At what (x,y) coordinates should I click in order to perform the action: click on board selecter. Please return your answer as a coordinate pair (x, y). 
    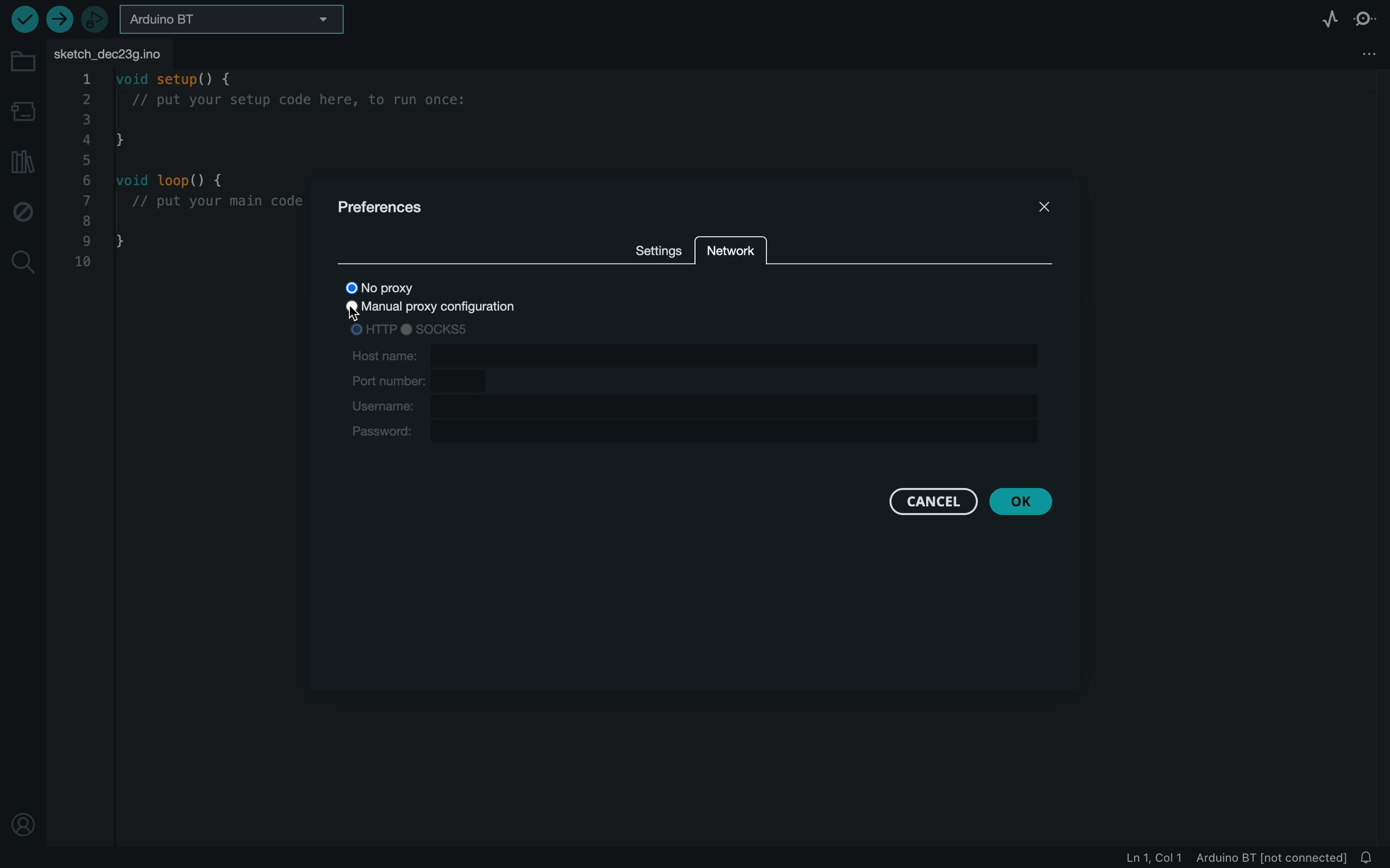
    Looking at the image, I should click on (232, 20).